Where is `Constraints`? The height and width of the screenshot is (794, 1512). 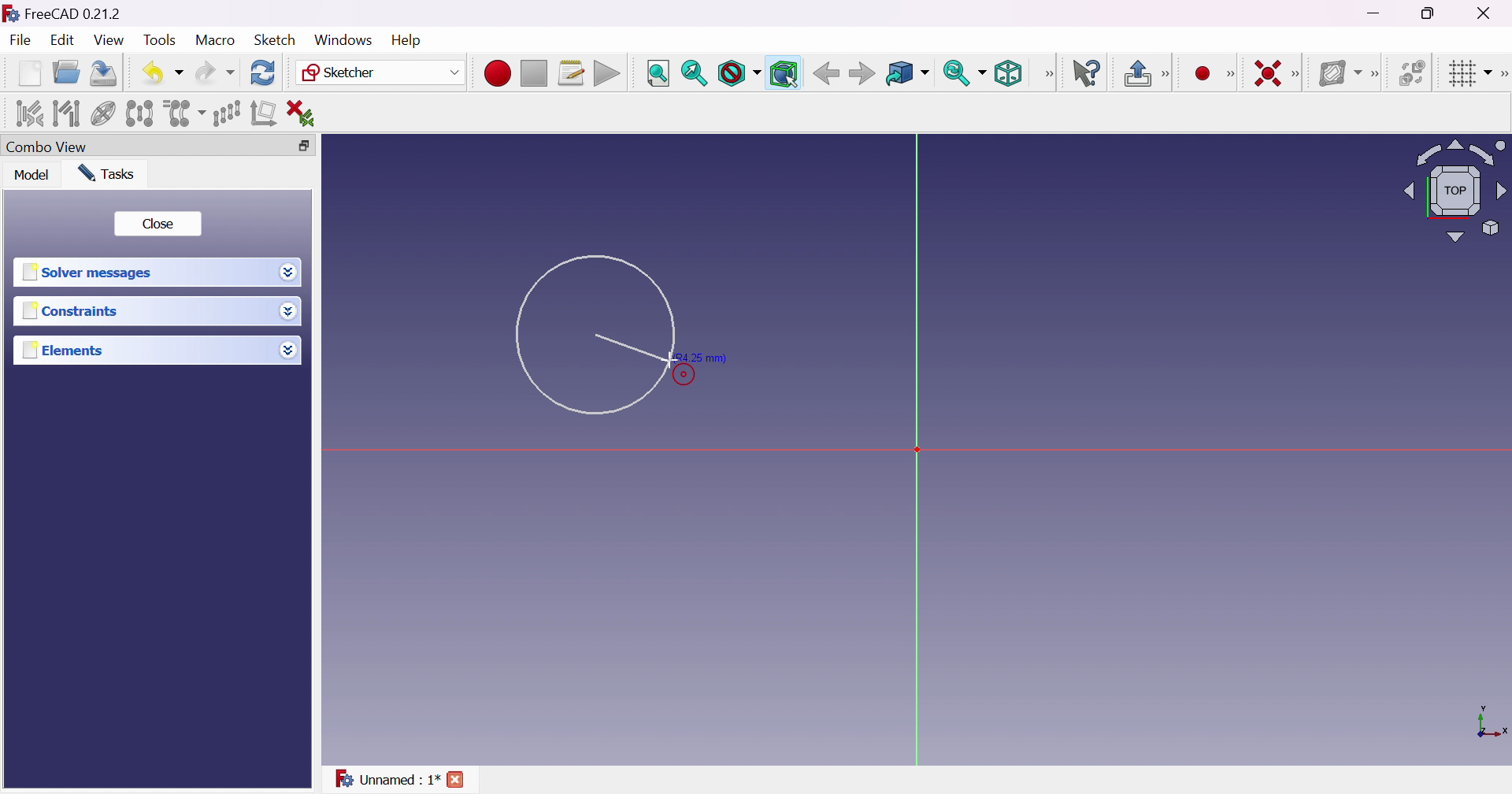
Constraints is located at coordinates (74, 311).